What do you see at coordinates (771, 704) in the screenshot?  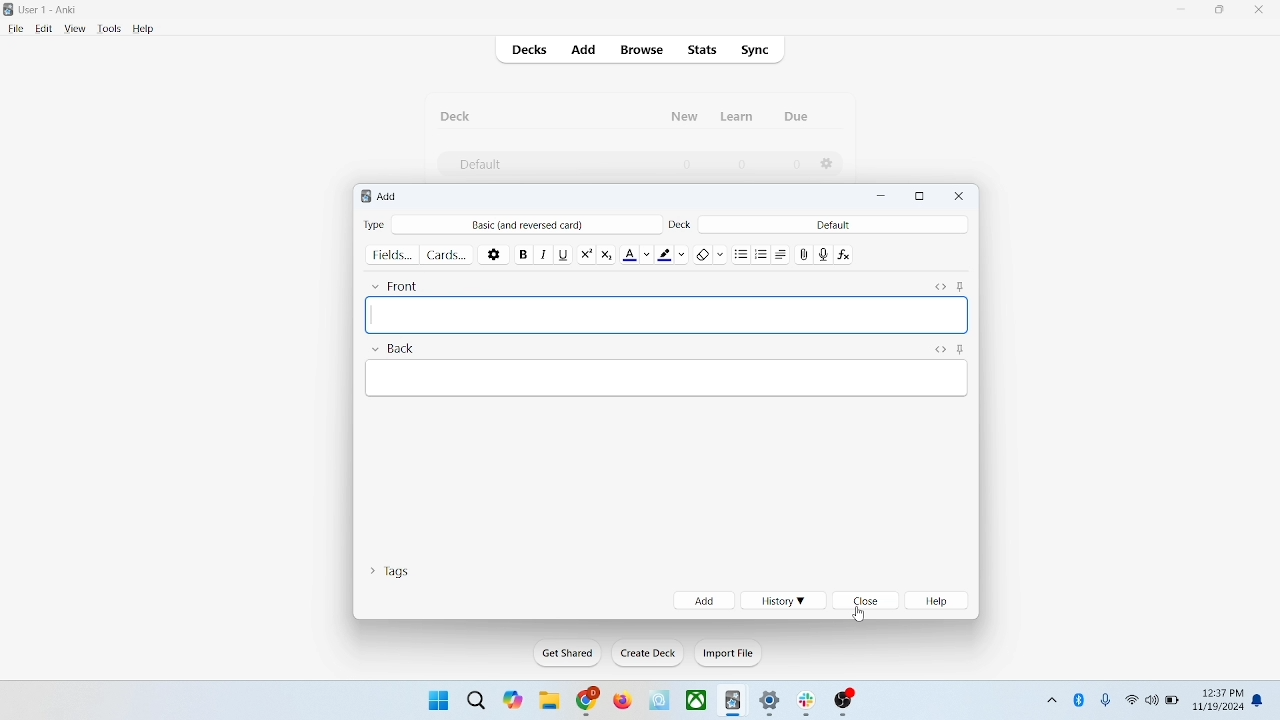 I see `settings` at bounding box center [771, 704].